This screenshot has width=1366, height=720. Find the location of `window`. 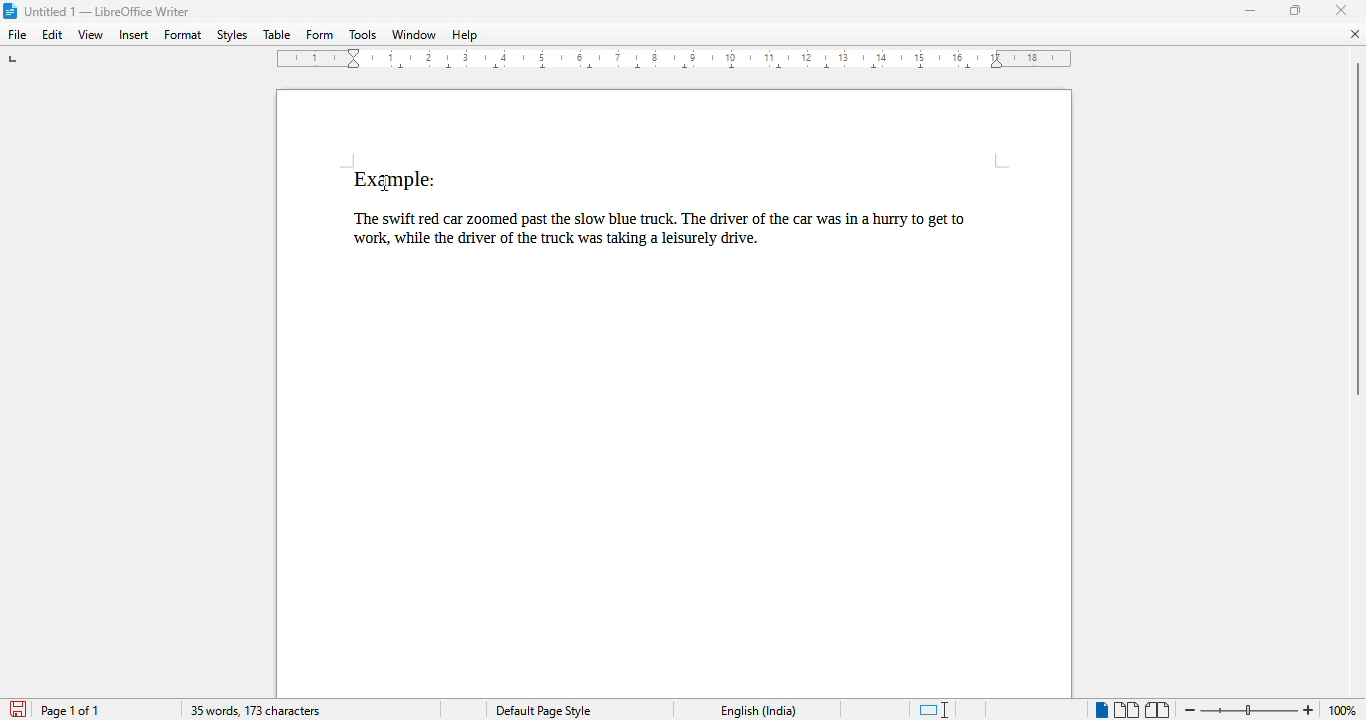

window is located at coordinates (414, 34).